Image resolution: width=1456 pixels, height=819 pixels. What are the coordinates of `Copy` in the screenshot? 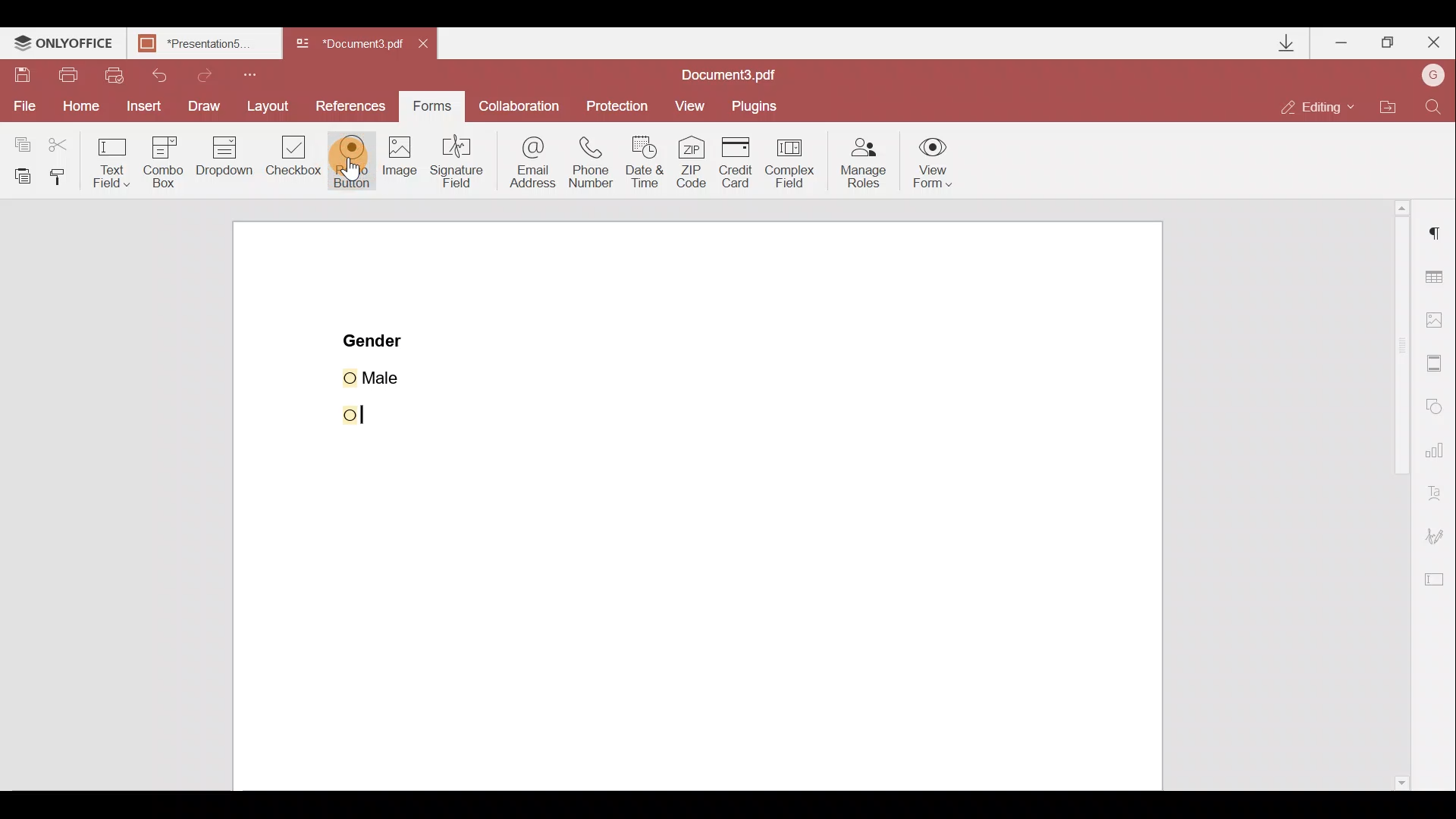 It's located at (19, 140).